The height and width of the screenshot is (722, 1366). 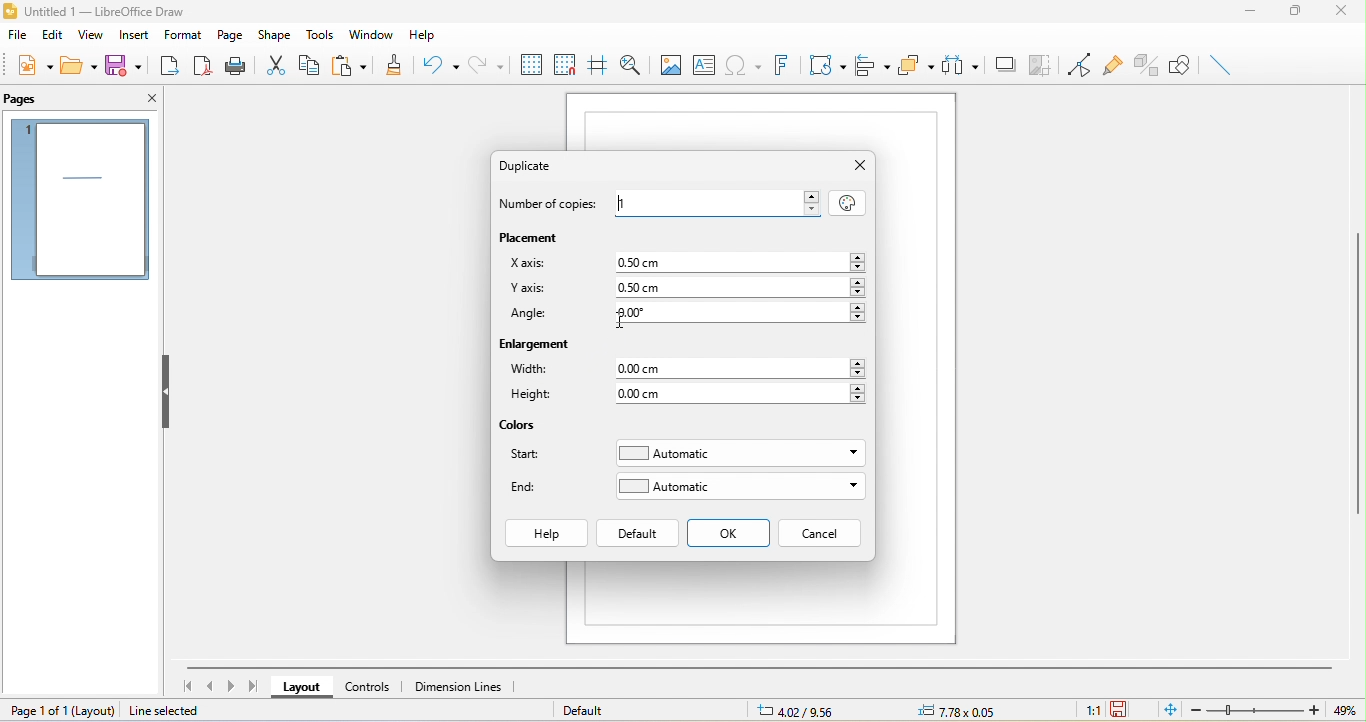 I want to click on pages, so click(x=29, y=99).